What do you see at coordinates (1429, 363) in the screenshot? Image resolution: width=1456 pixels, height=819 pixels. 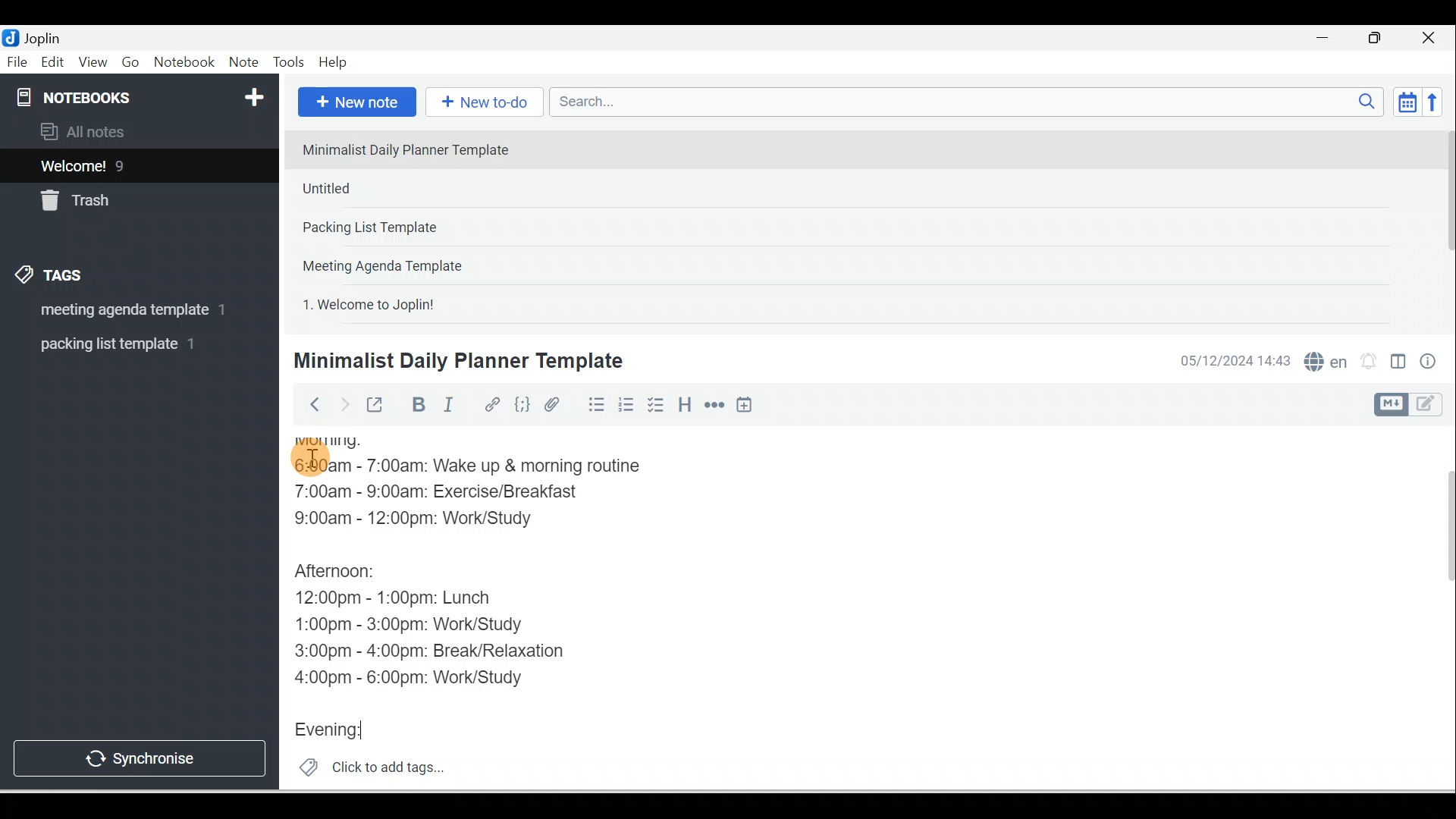 I see `Note properties` at bounding box center [1429, 363].